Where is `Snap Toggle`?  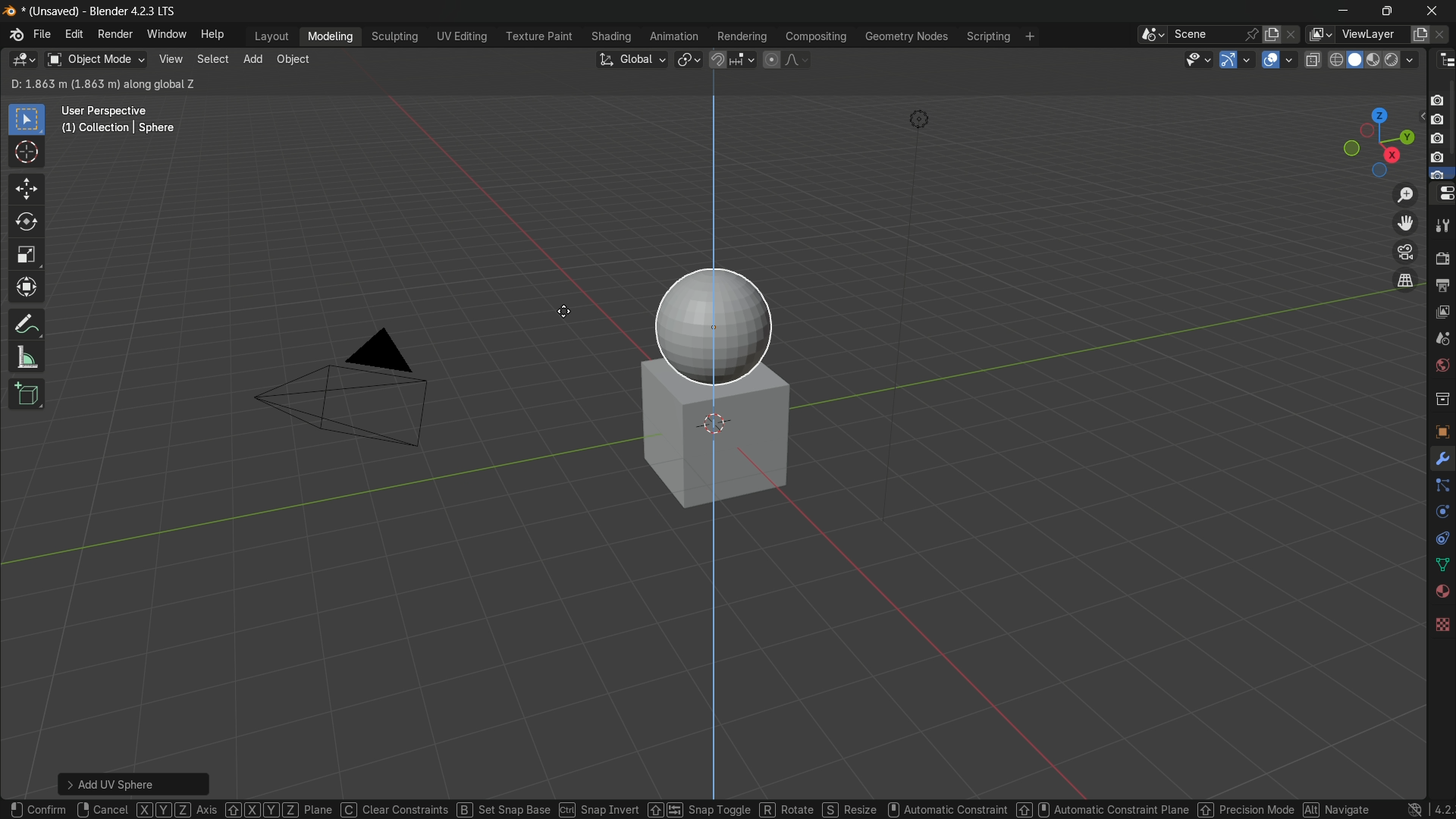
Snap Toggle is located at coordinates (582, 808).